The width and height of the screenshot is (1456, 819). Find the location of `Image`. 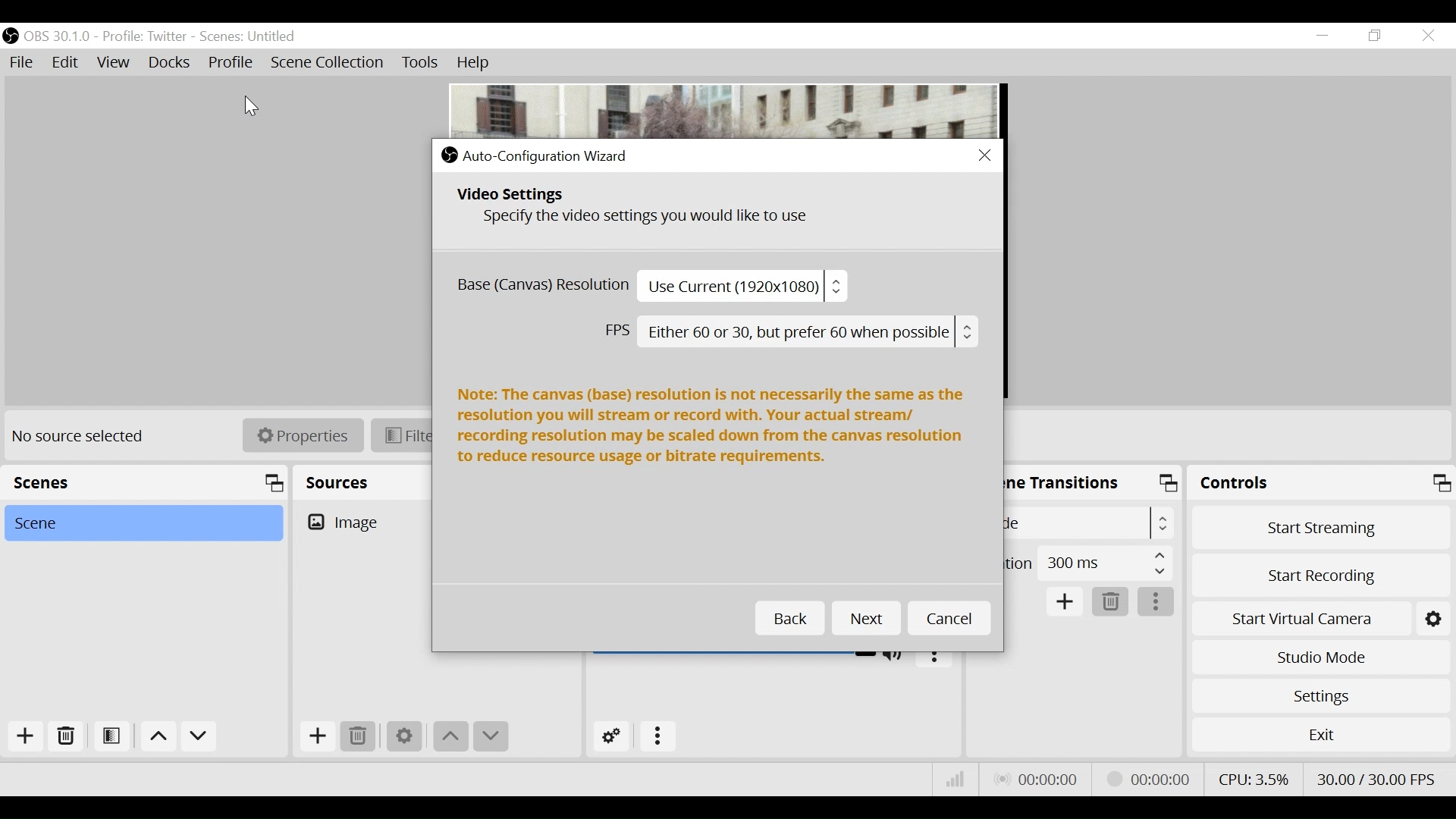

Image is located at coordinates (365, 521).